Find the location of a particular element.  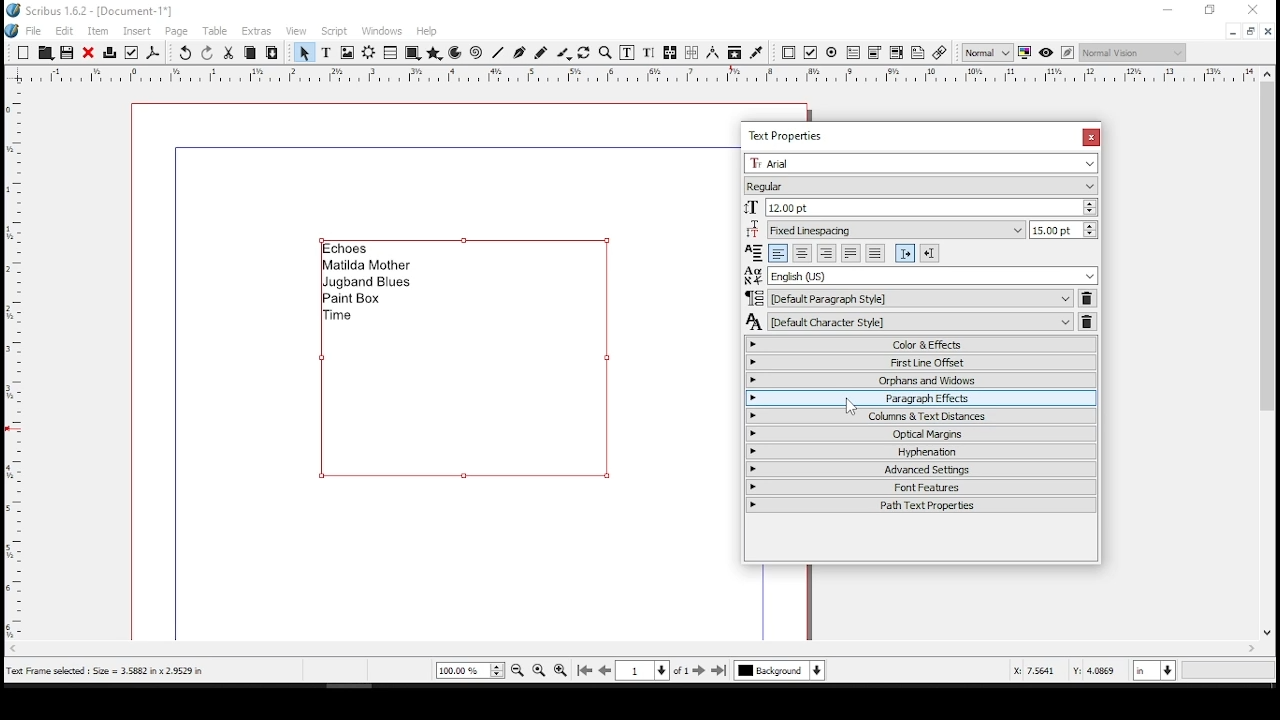

edit is located at coordinates (65, 30).